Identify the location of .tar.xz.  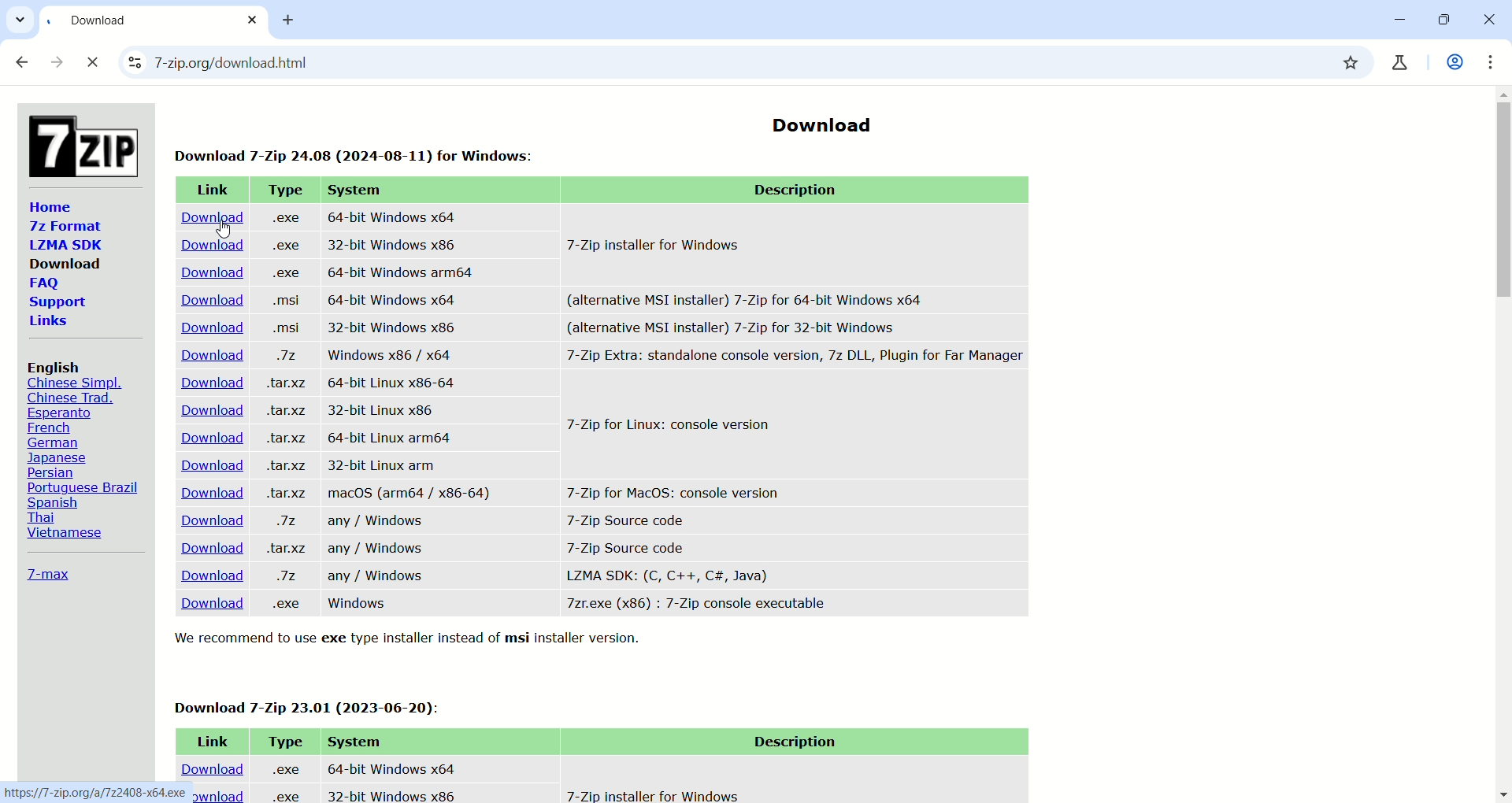
(285, 550).